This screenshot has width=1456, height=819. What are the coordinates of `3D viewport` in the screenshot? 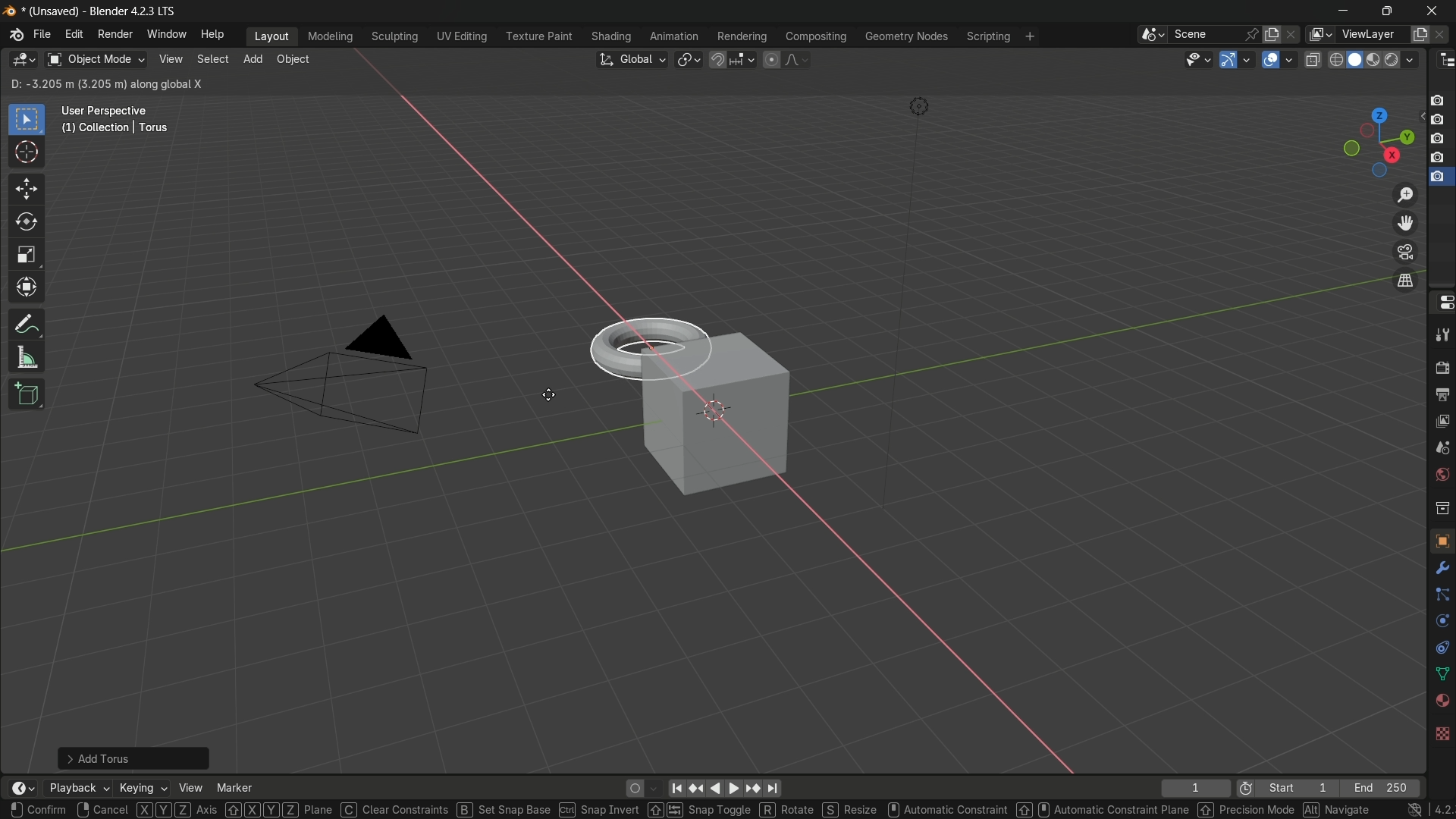 It's located at (23, 60).